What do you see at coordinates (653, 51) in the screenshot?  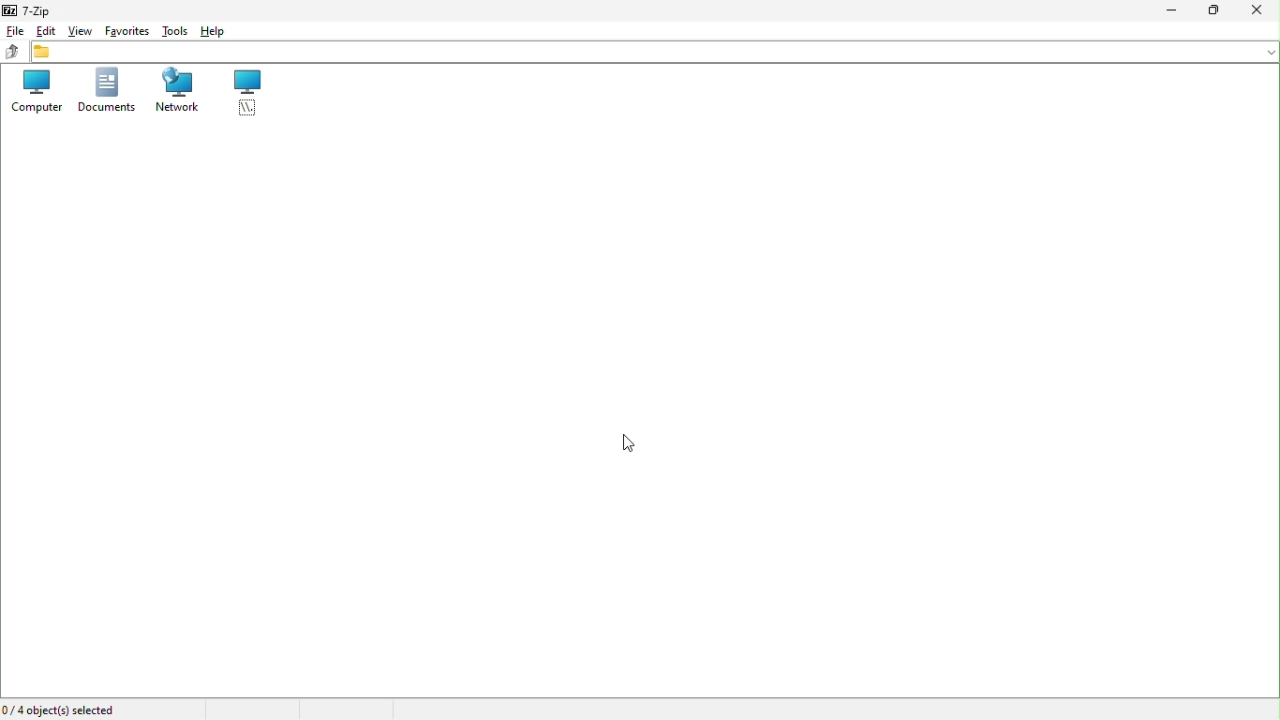 I see `file Address bar` at bounding box center [653, 51].